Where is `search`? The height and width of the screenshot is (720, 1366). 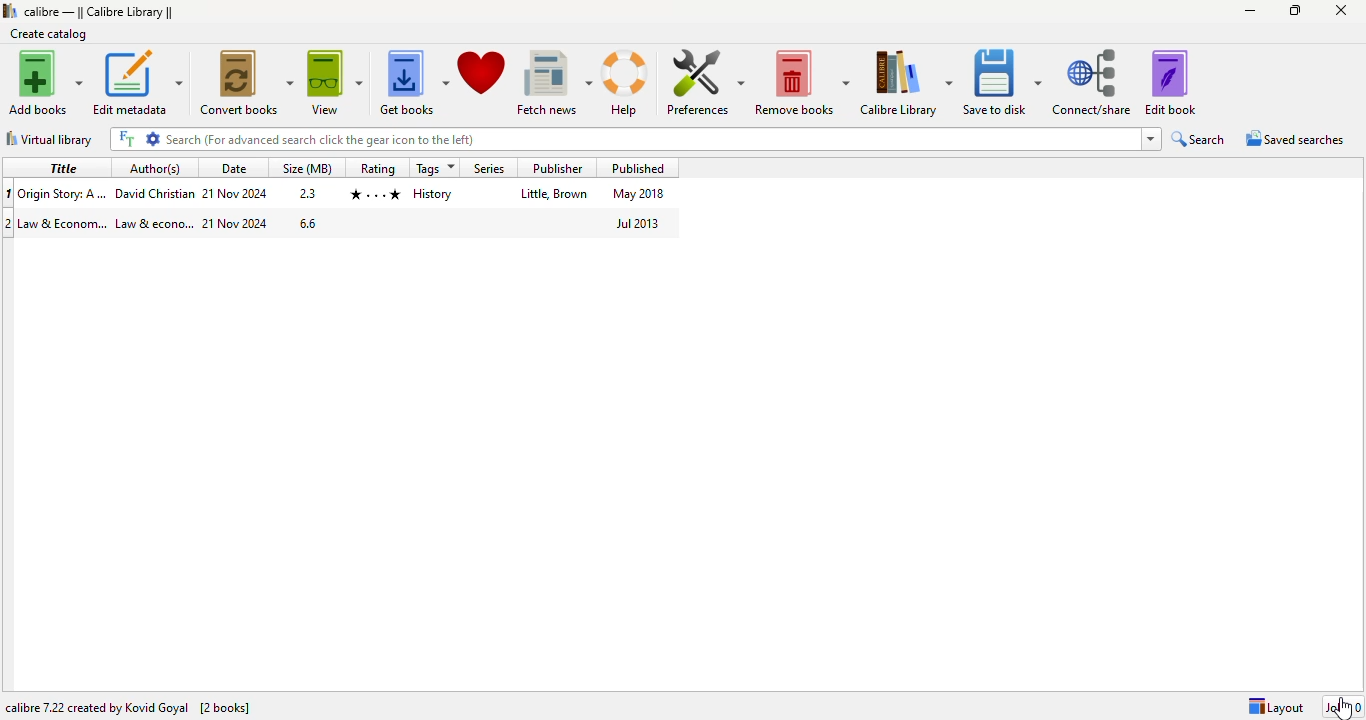 search is located at coordinates (651, 139).